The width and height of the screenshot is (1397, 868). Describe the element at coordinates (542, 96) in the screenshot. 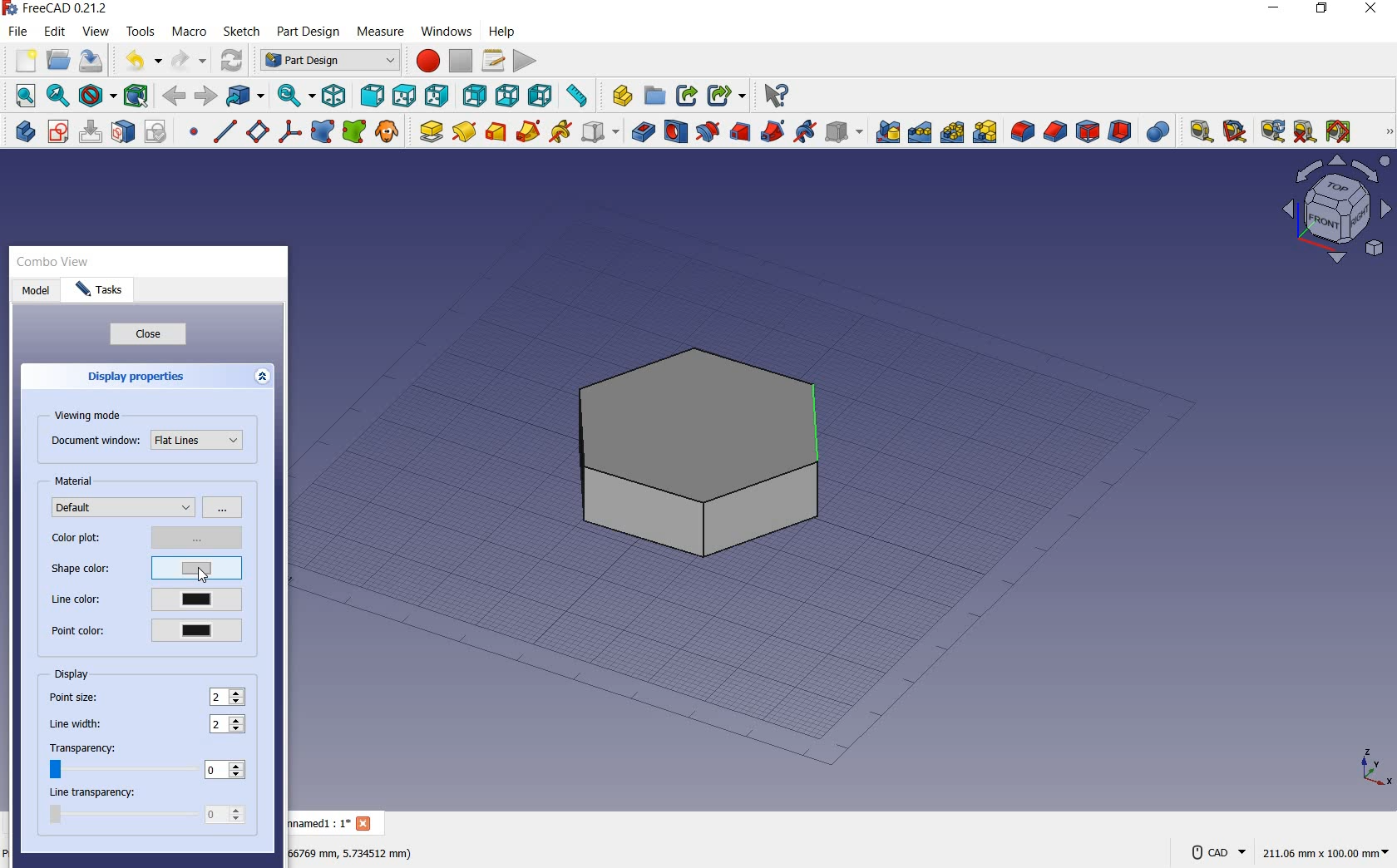

I see `left` at that location.